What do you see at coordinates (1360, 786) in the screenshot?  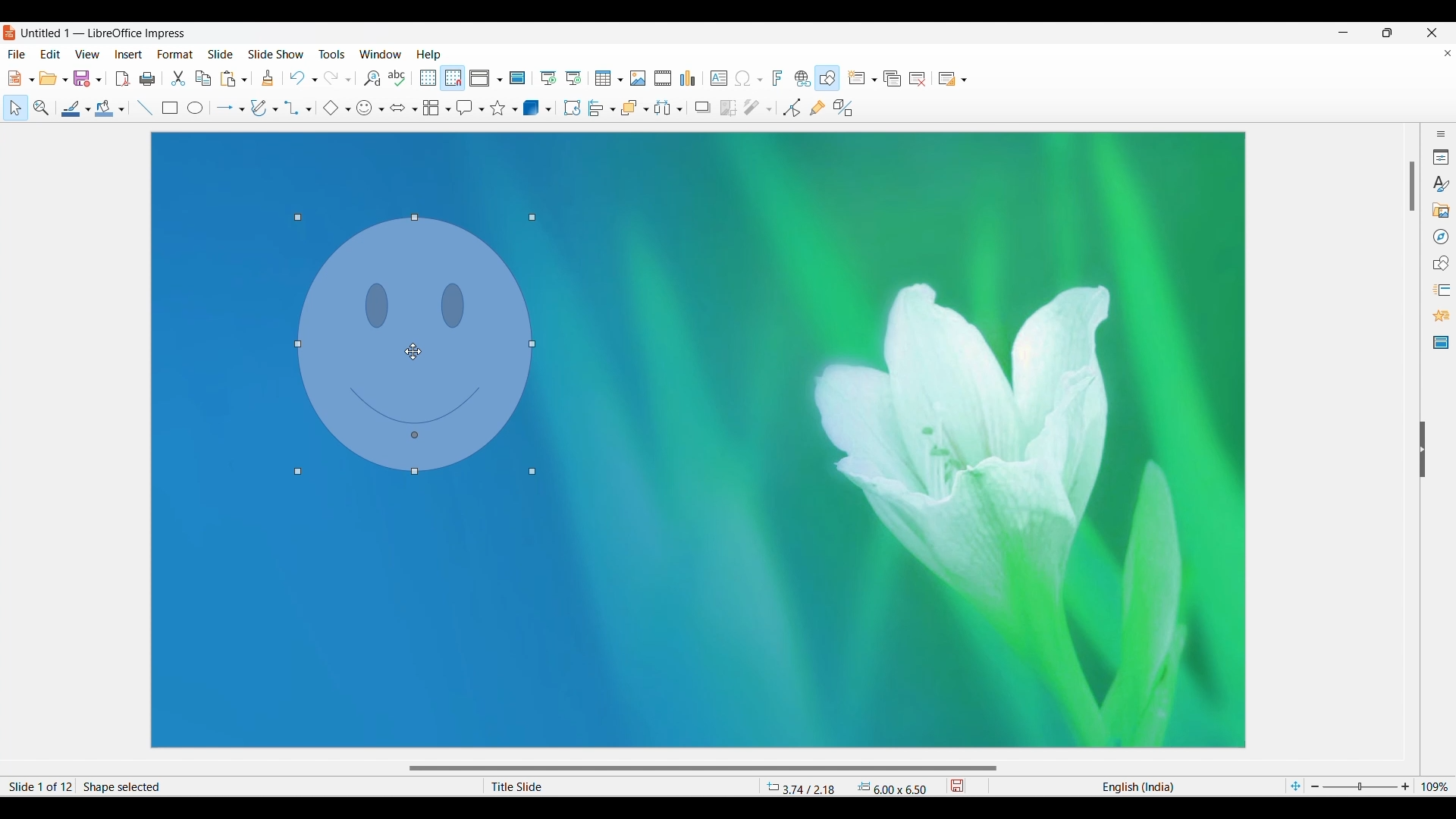 I see `Slider to zoom in/out` at bounding box center [1360, 786].